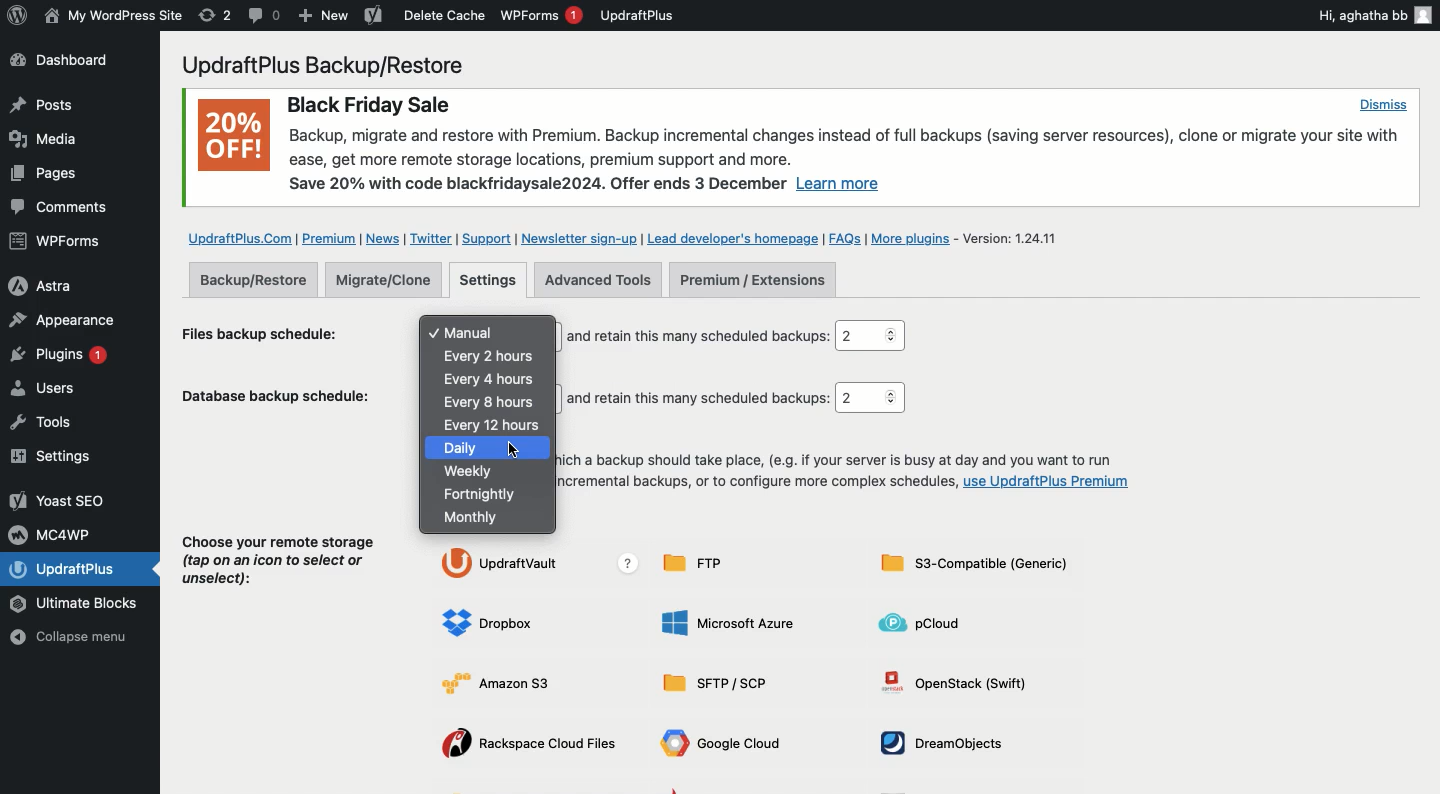  Describe the element at coordinates (491, 380) in the screenshot. I see `Every 4 hours` at that location.